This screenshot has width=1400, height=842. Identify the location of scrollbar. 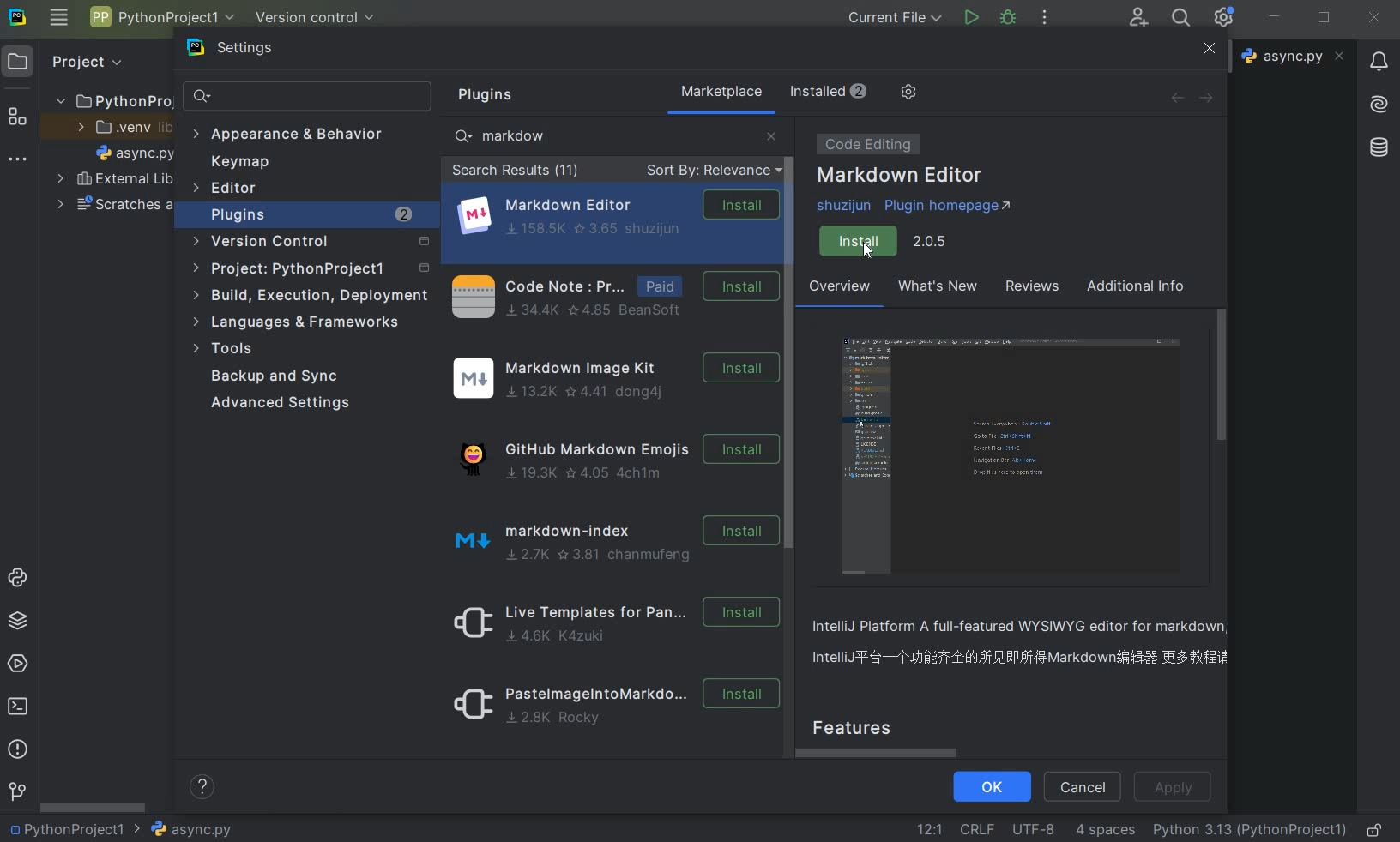
(884, 753).